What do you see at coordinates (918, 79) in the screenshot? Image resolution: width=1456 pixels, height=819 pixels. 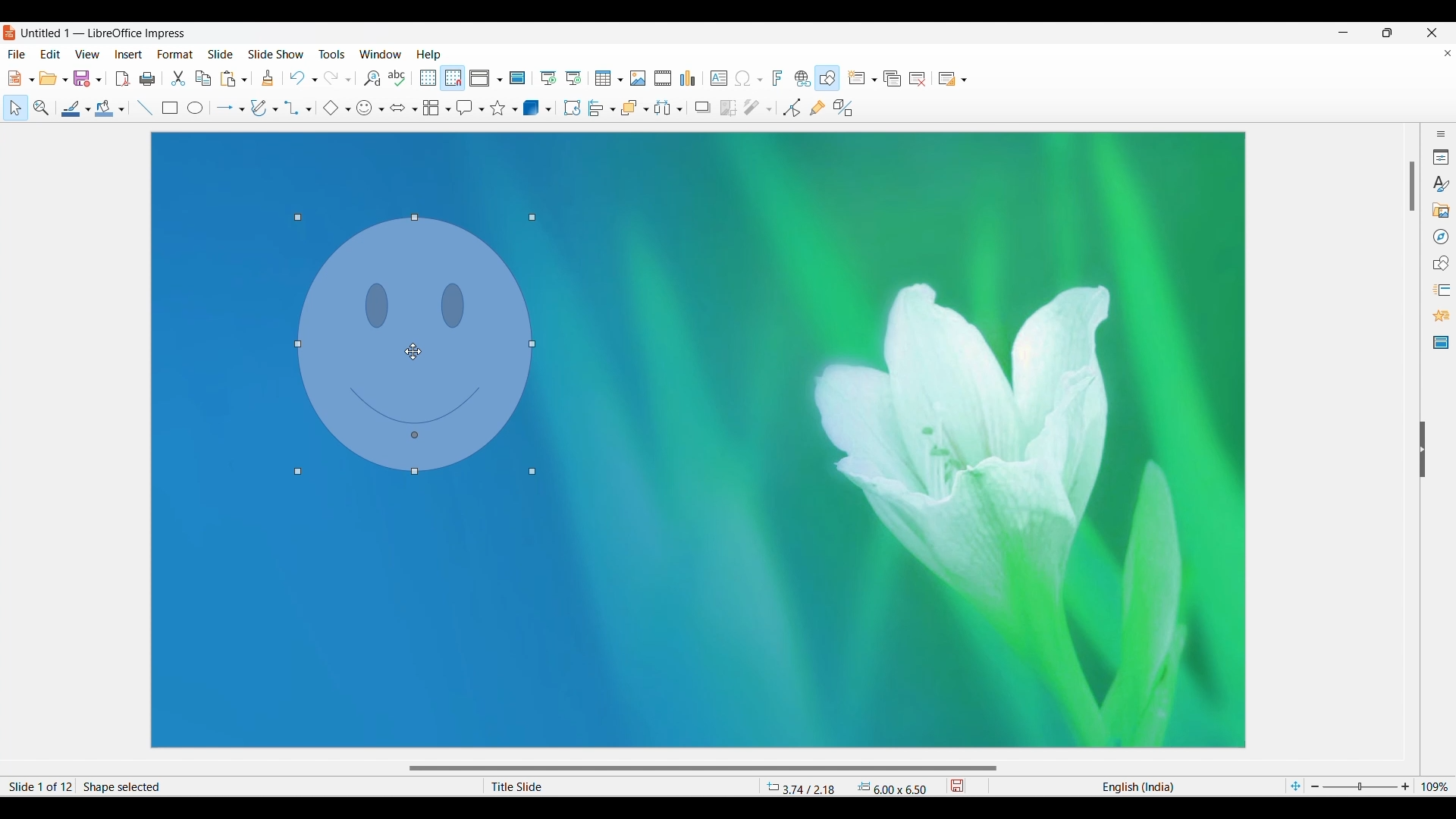 I see `Delete slide` at bounding box center [918, 79].